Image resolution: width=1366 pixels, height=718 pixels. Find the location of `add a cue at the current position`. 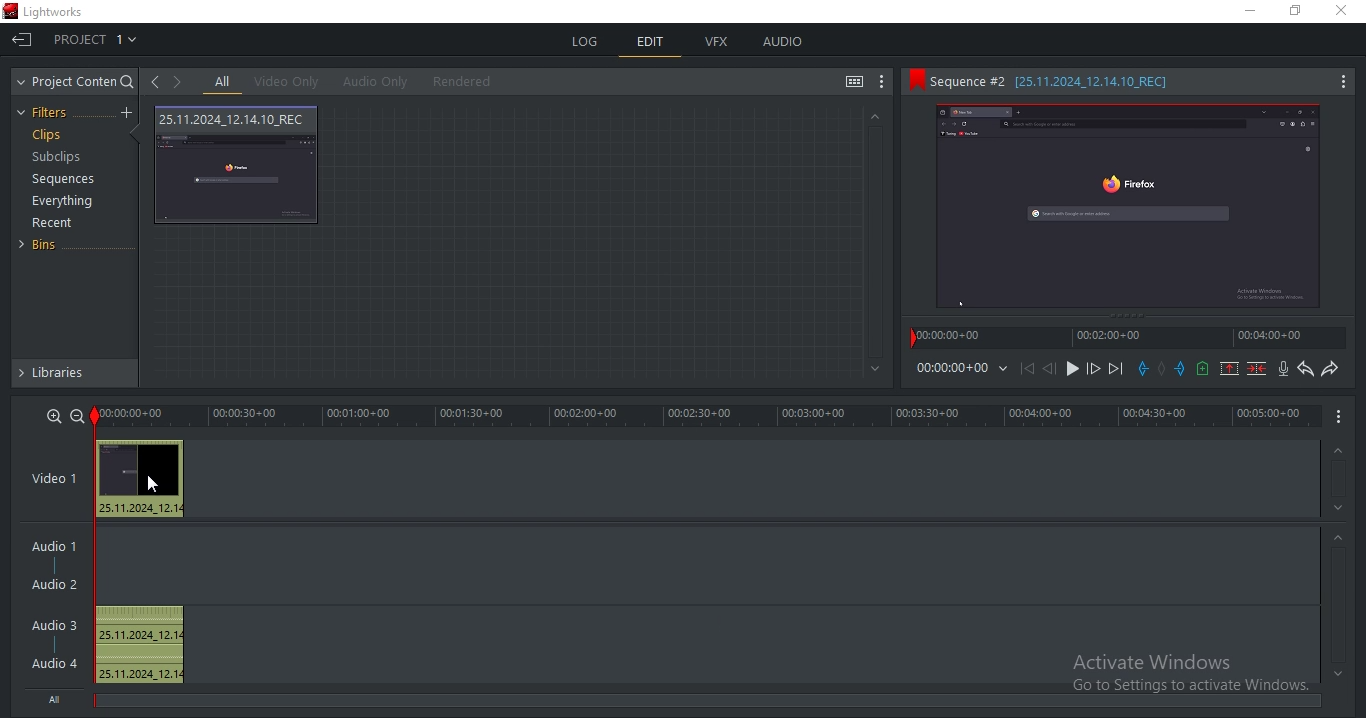

add a cue at the current position is located at coordinates (1202, 368).